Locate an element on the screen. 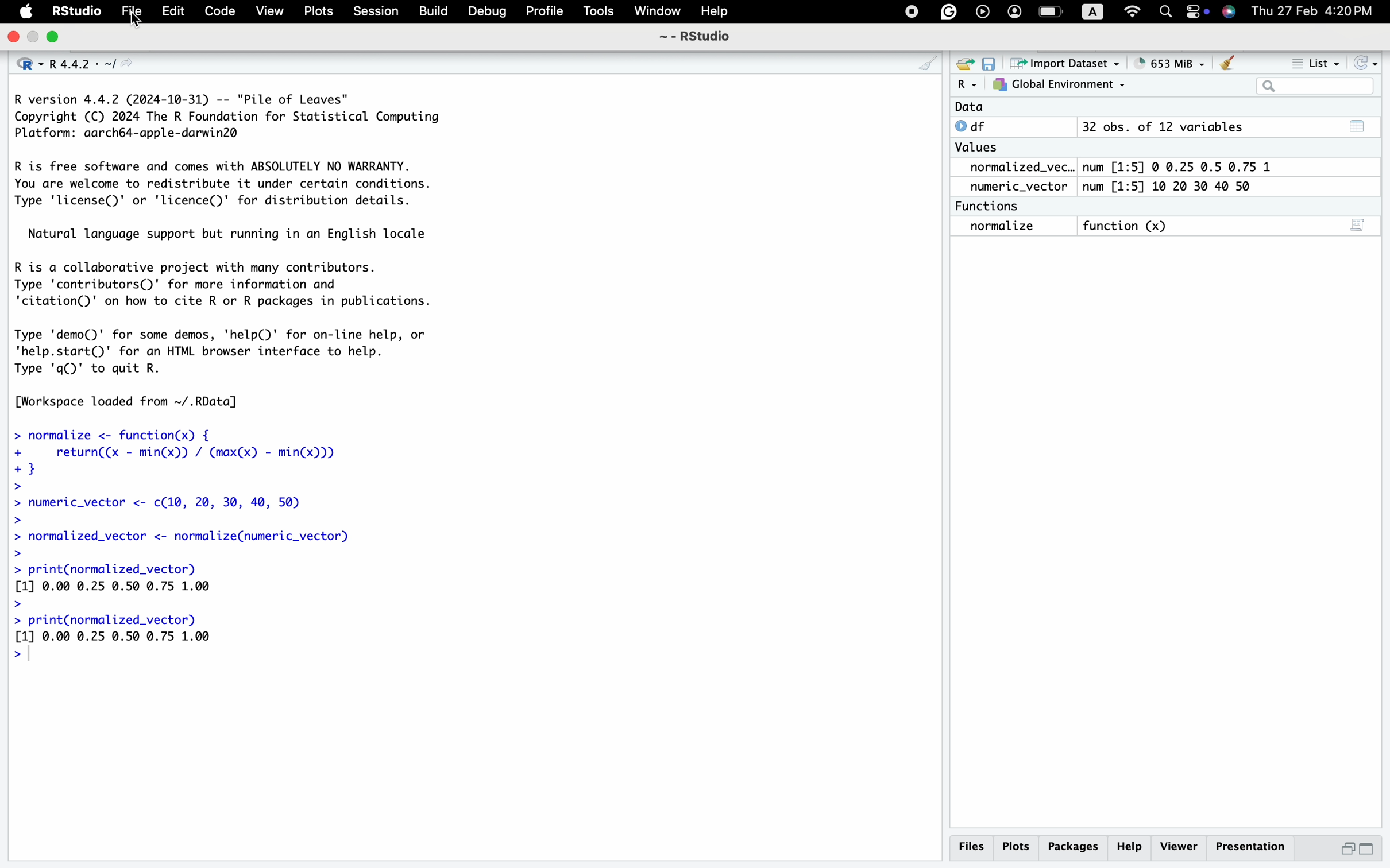 Image resolution: width=1390 pixels, height=868 pixels. Apple is located at coordinates (27, 12).